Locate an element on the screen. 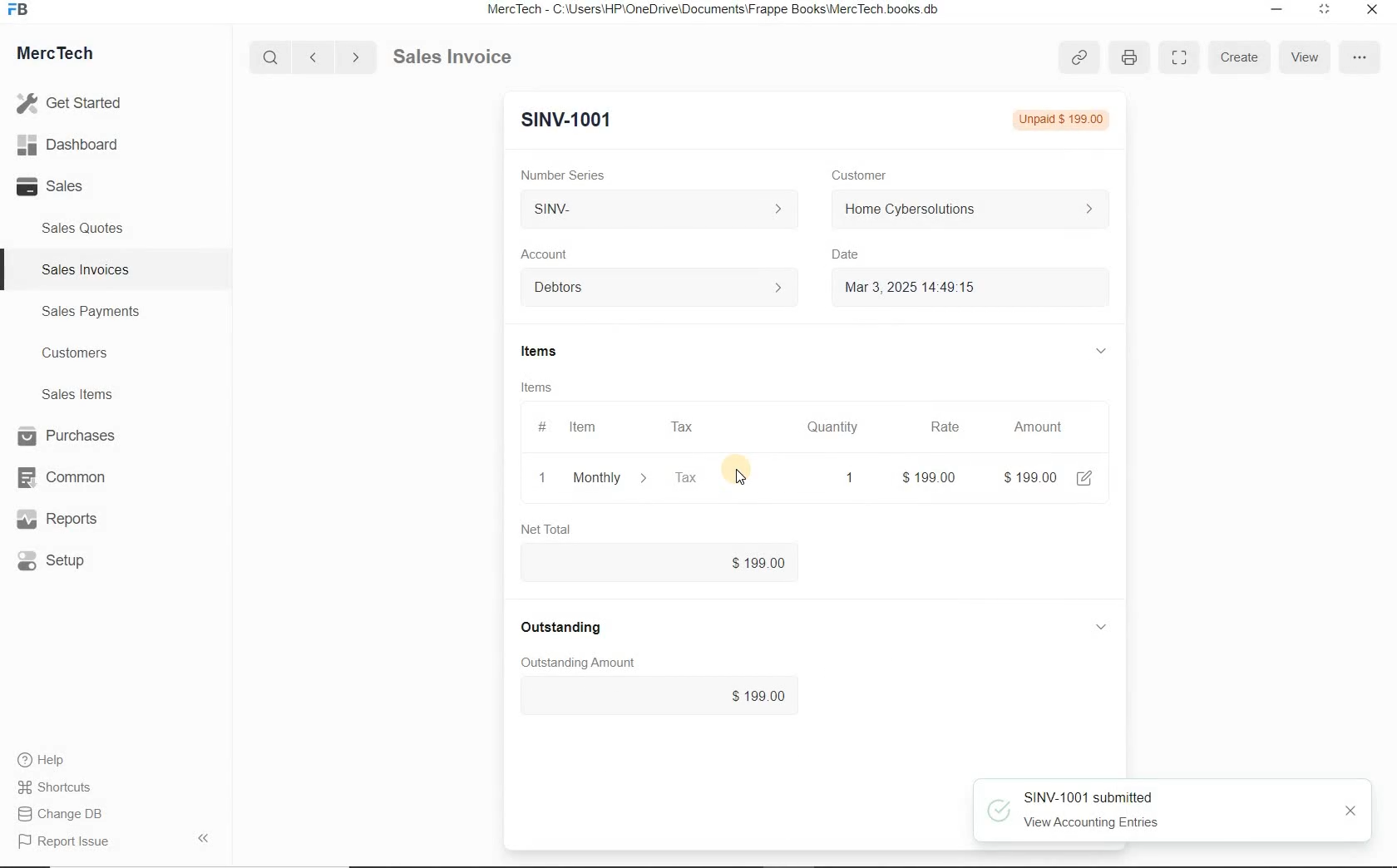 Image resolution: width=1397 pixels, height=868 pixels. Sales Items is located at coordinates (88, 394).